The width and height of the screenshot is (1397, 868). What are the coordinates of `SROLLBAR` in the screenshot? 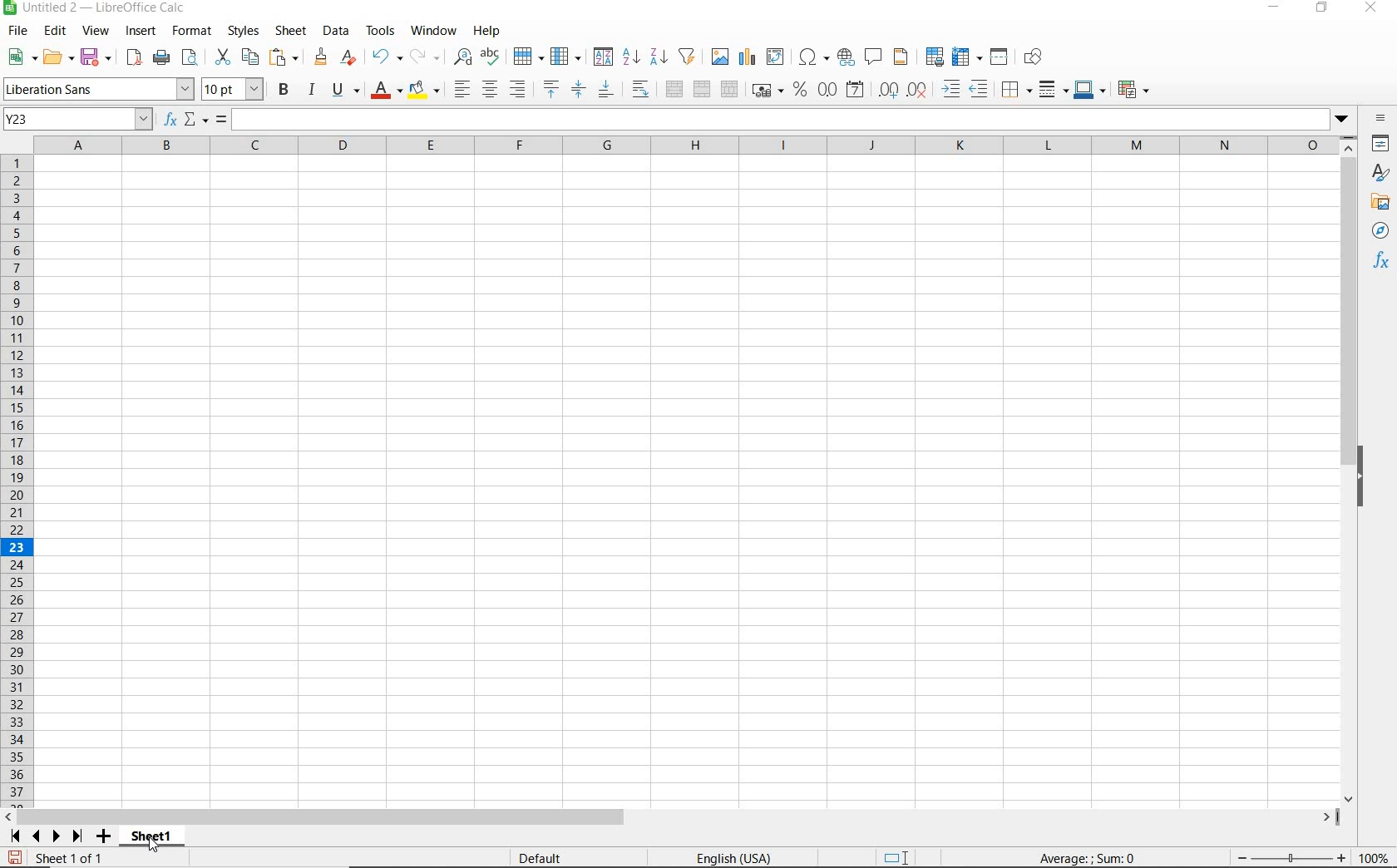 It's located at (674, 817).